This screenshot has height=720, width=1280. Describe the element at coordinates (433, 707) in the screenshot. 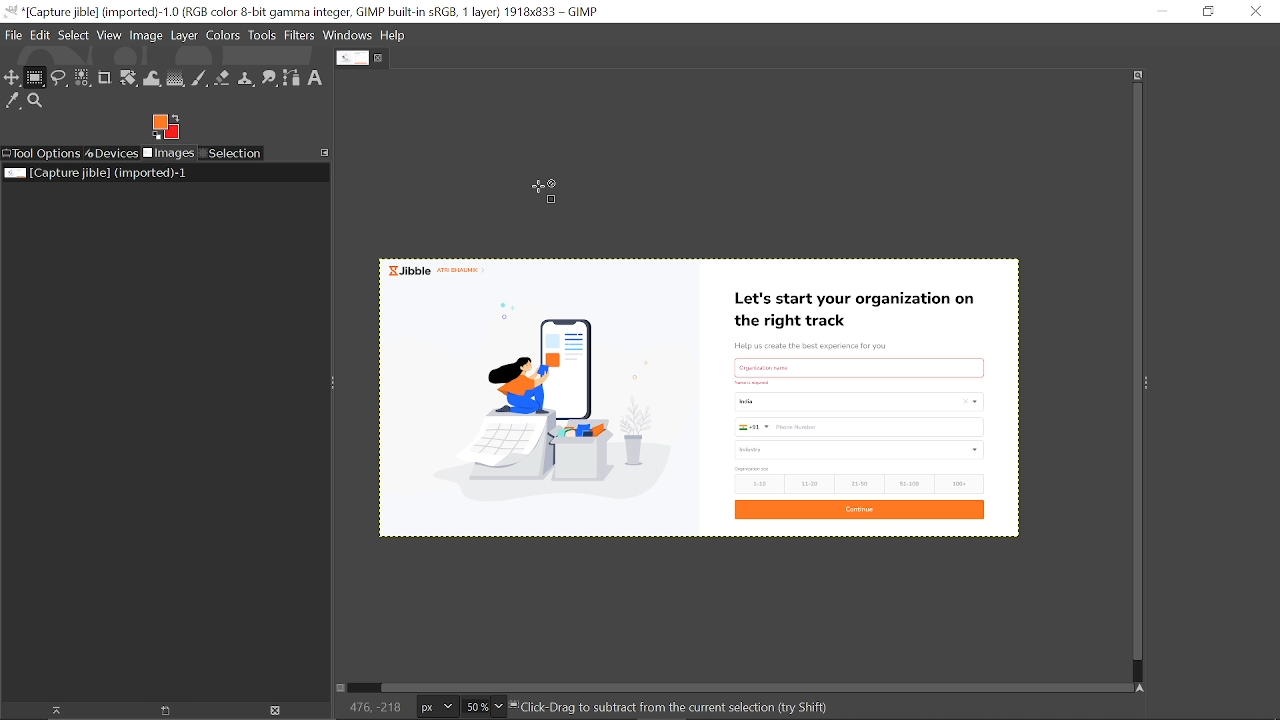

I see `Image unit` at that location.